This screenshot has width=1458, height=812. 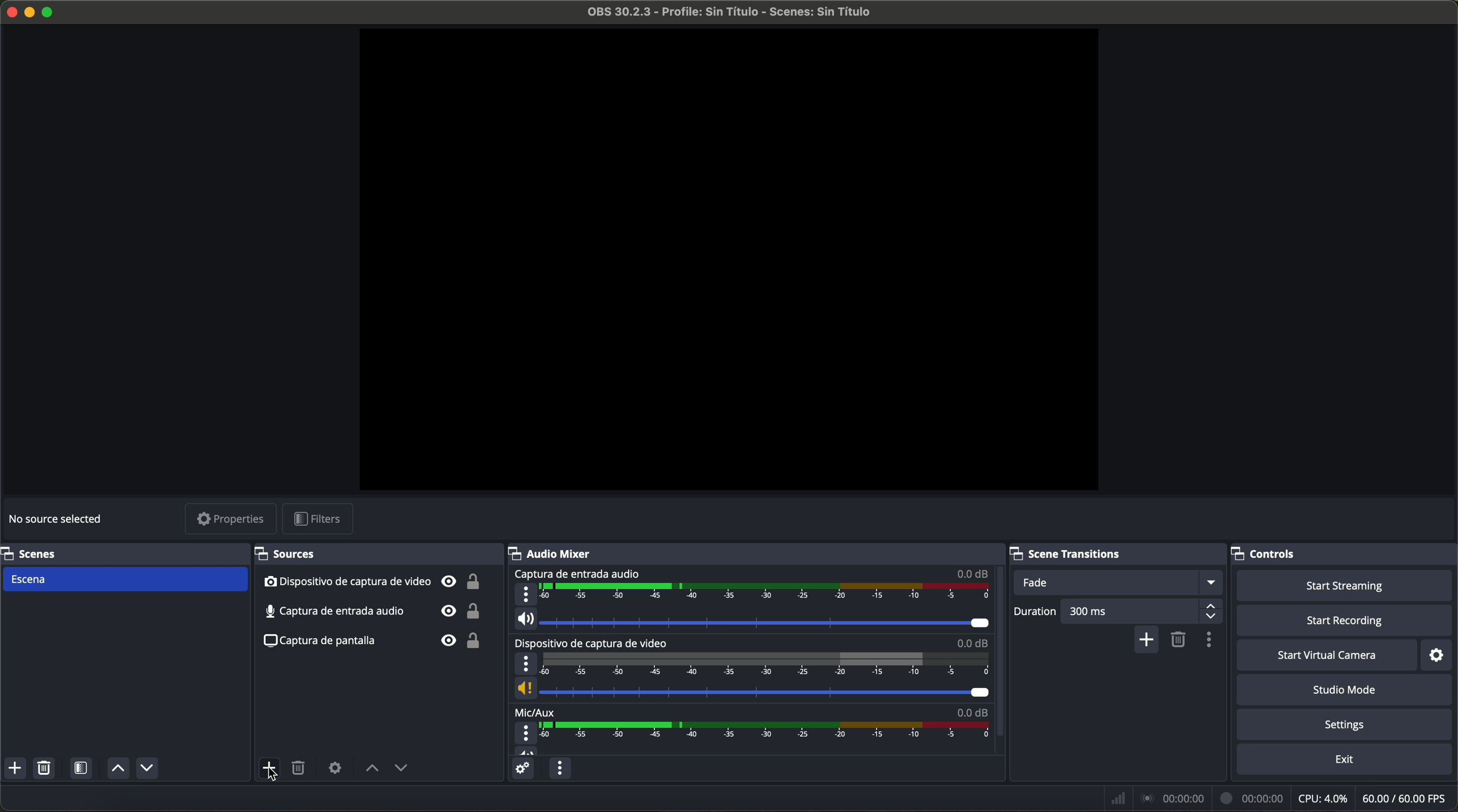 I want to click on cursor, so click(x=272, y=775).